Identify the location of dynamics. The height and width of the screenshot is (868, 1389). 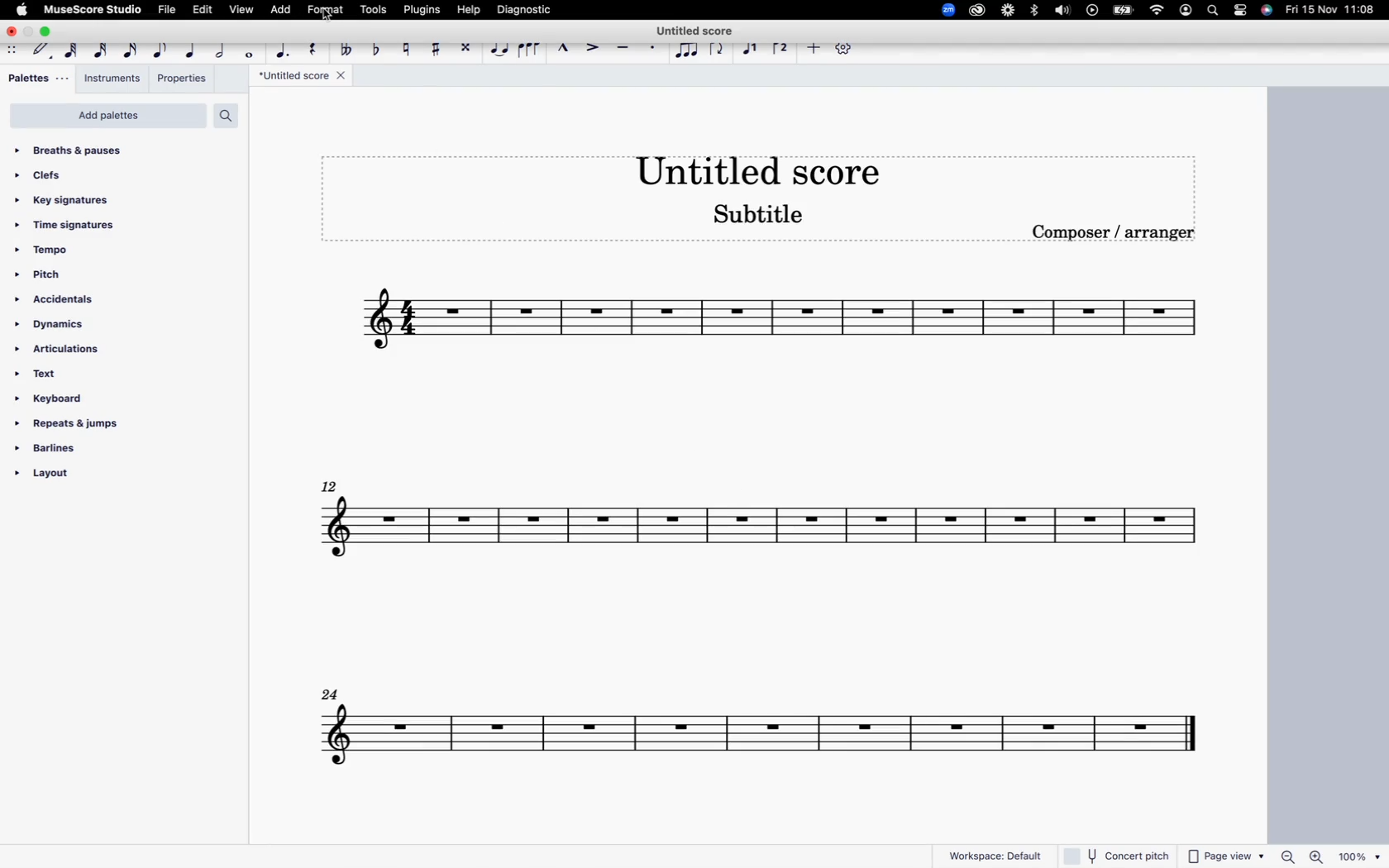
(51, 325).